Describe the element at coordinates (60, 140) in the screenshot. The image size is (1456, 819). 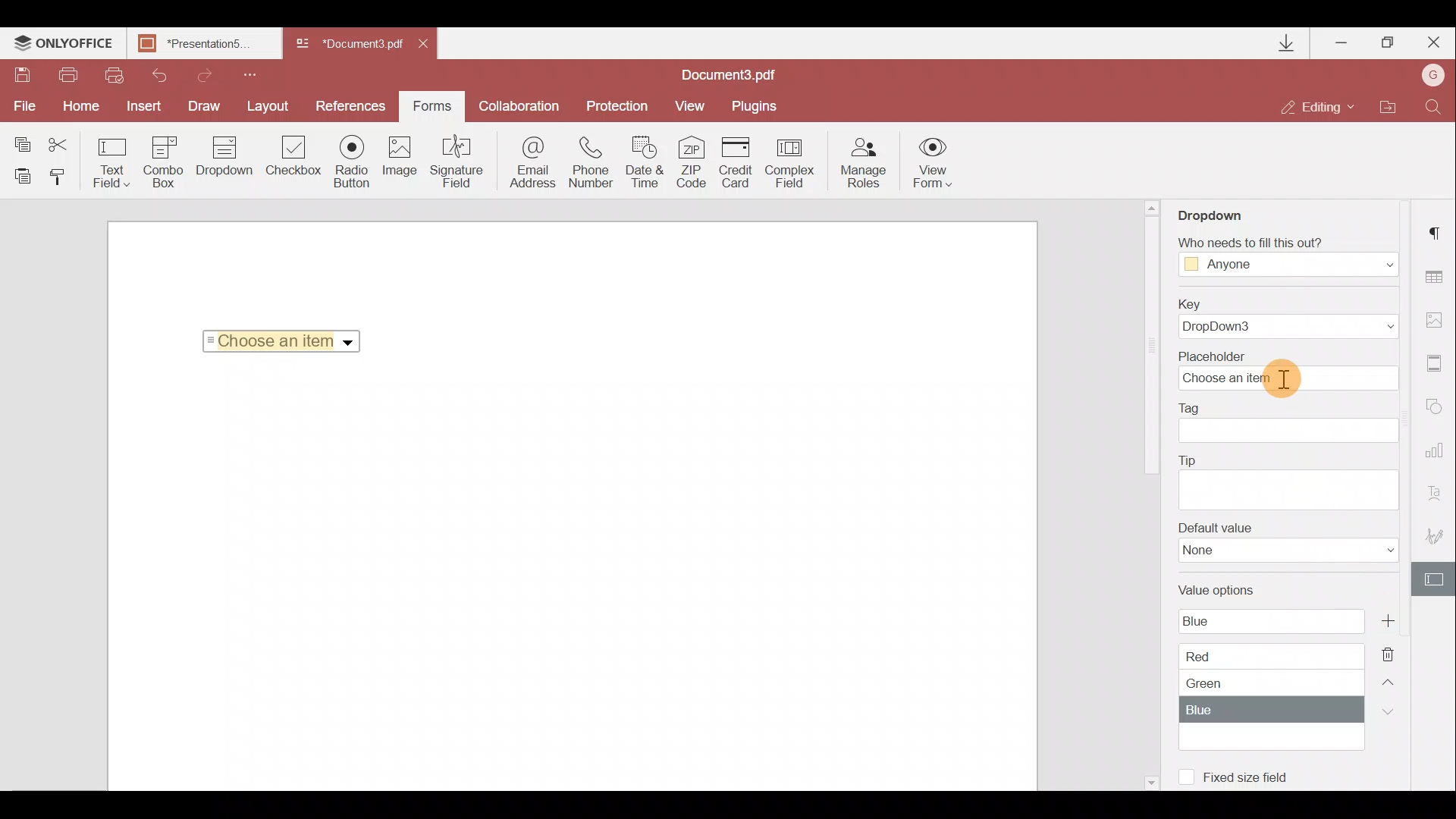
I see `Cut` at that location.